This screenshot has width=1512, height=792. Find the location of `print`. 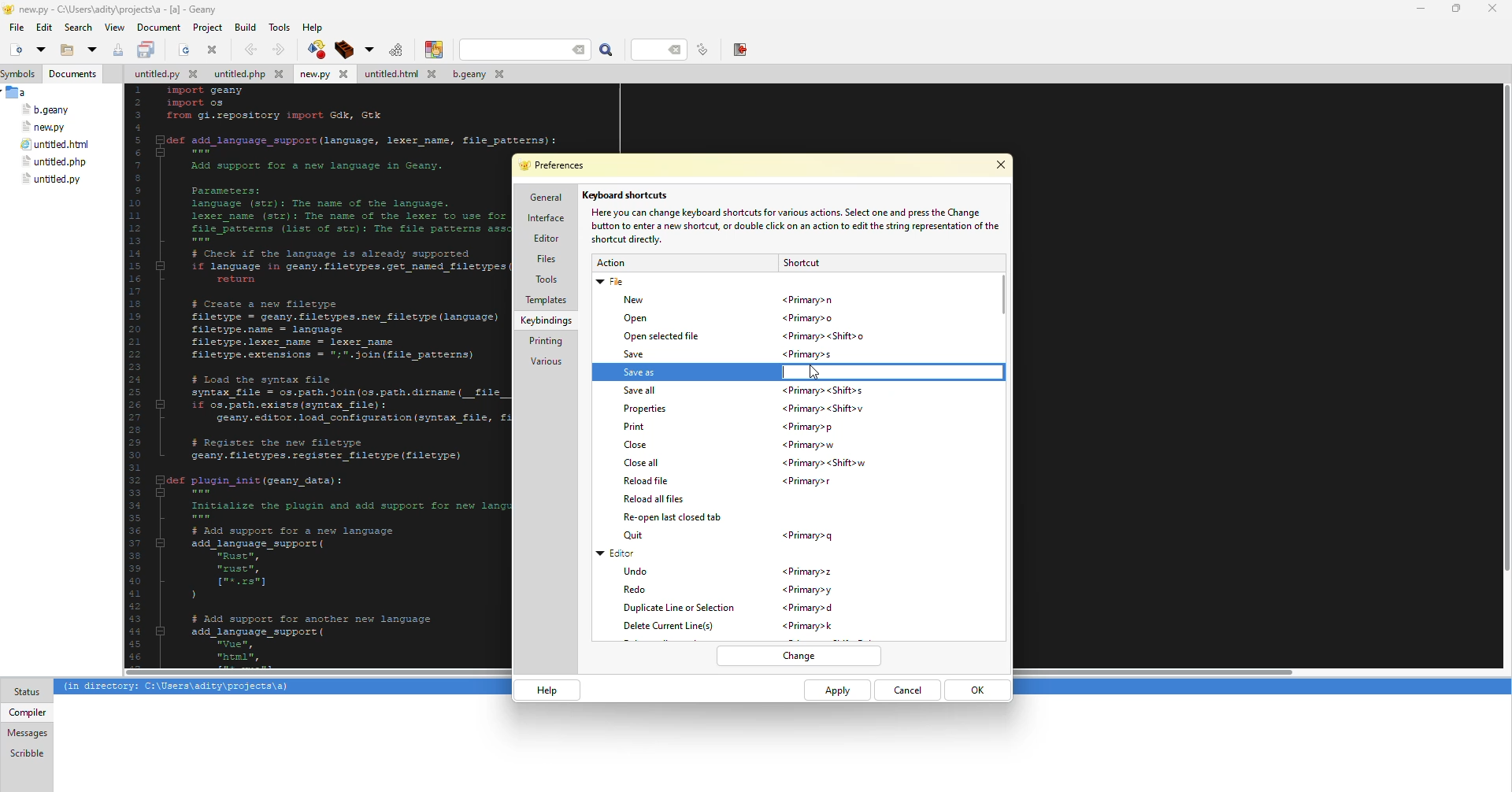

print is located at coordinates (632, 427).